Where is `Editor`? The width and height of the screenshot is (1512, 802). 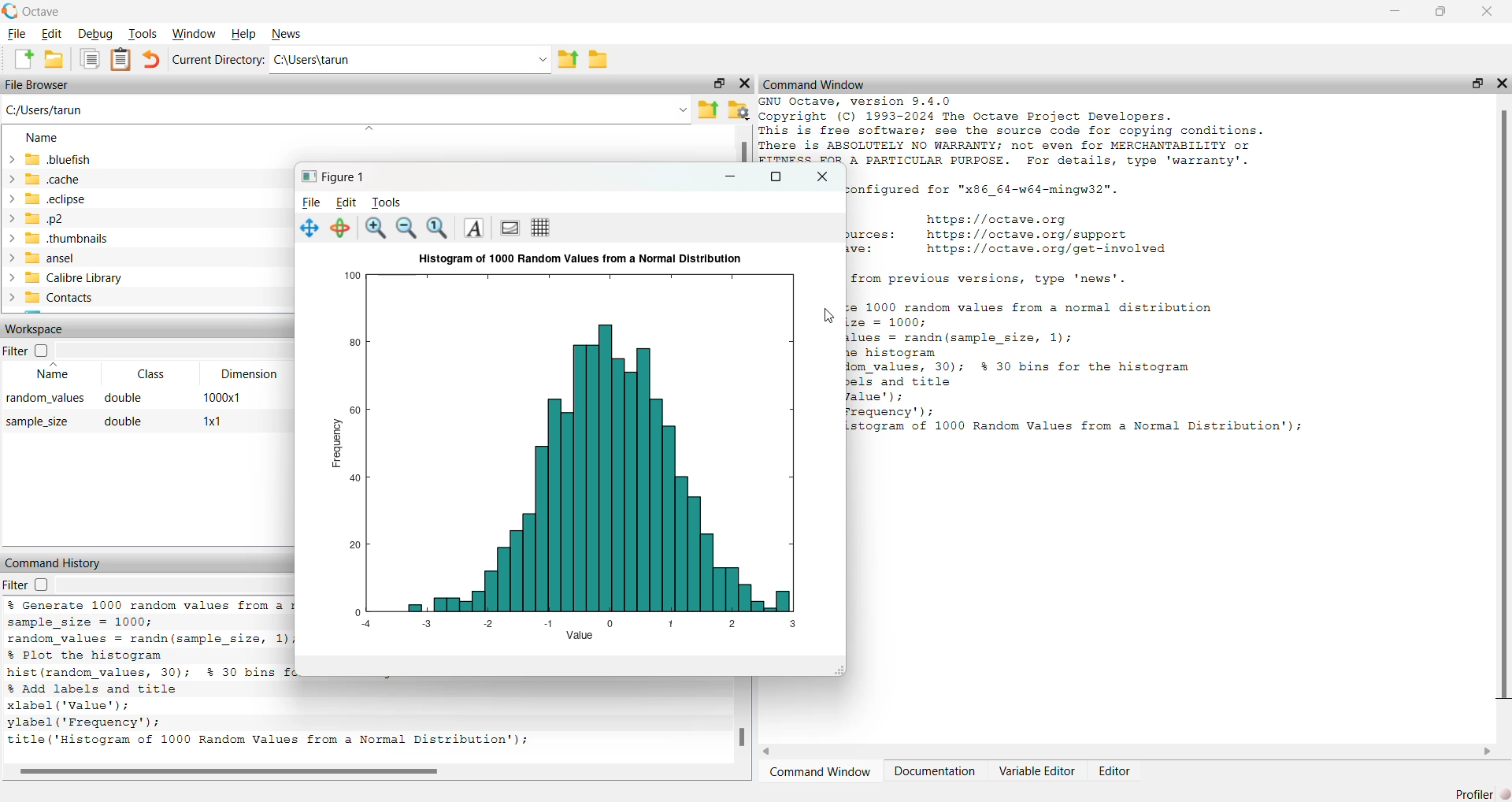 Editor is located at coordinates (1117, 770).